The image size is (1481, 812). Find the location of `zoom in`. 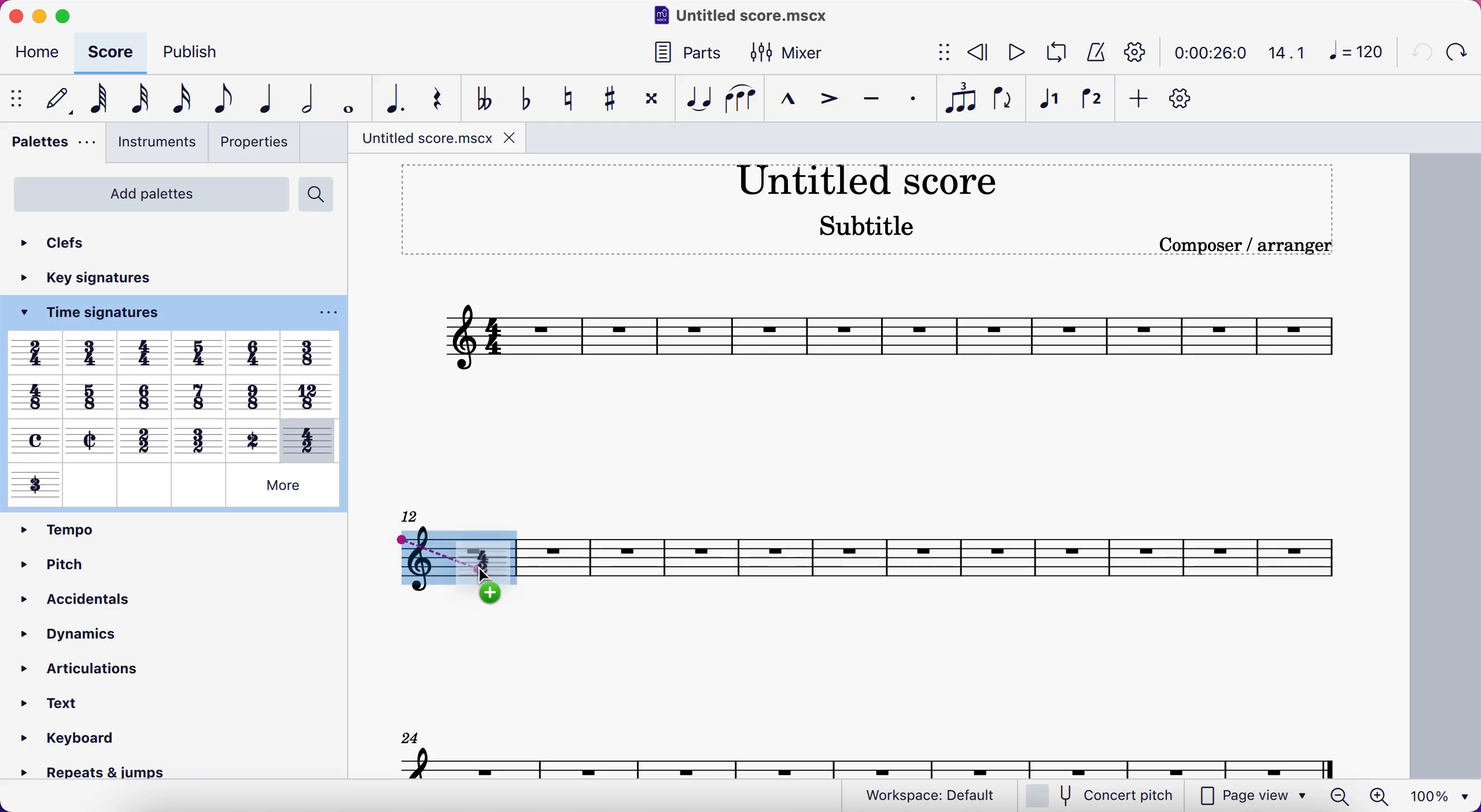

zoom in is located at coordinates (1385, 796).